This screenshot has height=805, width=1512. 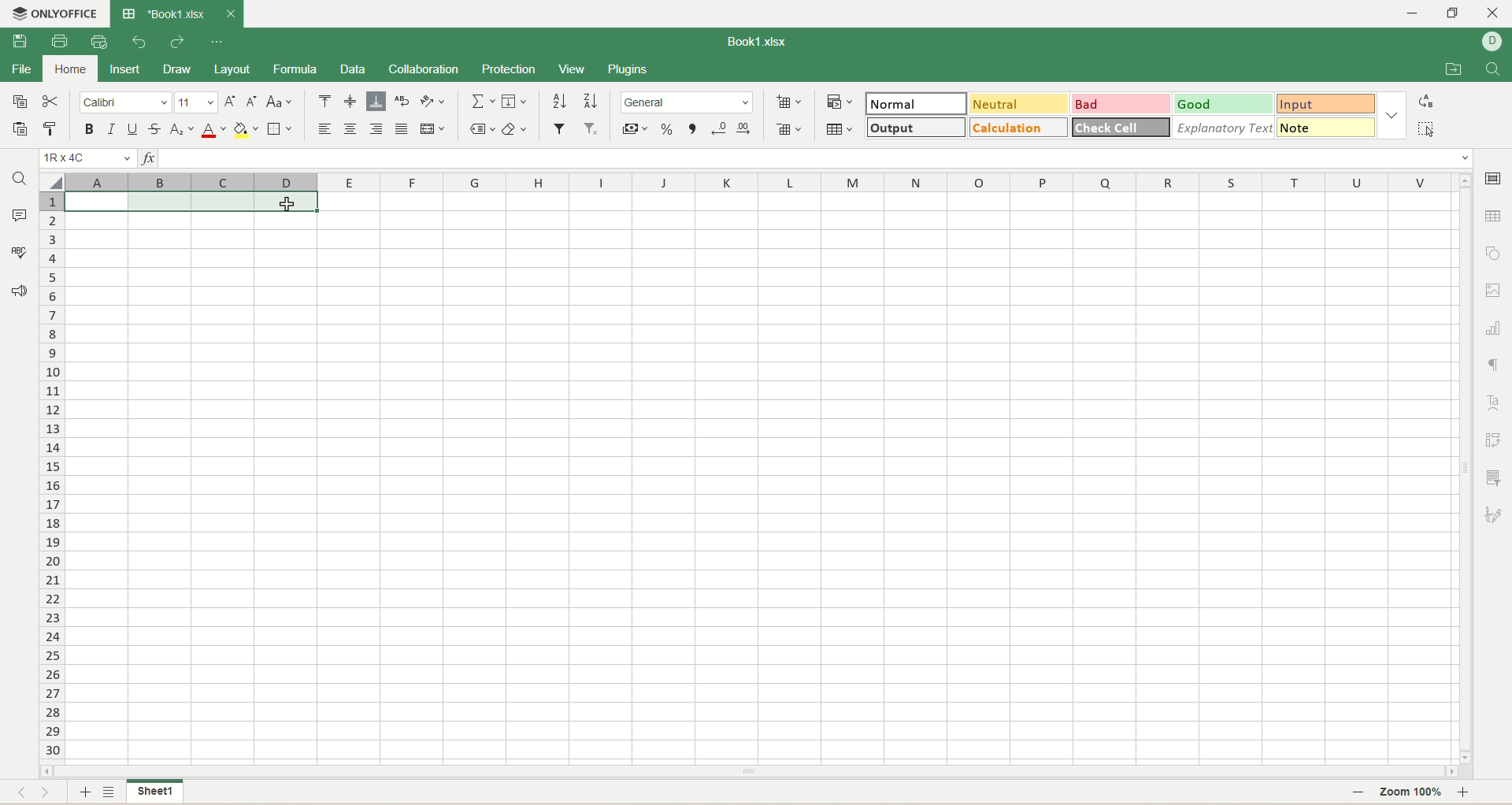 What do you see at coordinates (176, 41) in the screenshot?
I see `redo` at bounding box center [176, 41].